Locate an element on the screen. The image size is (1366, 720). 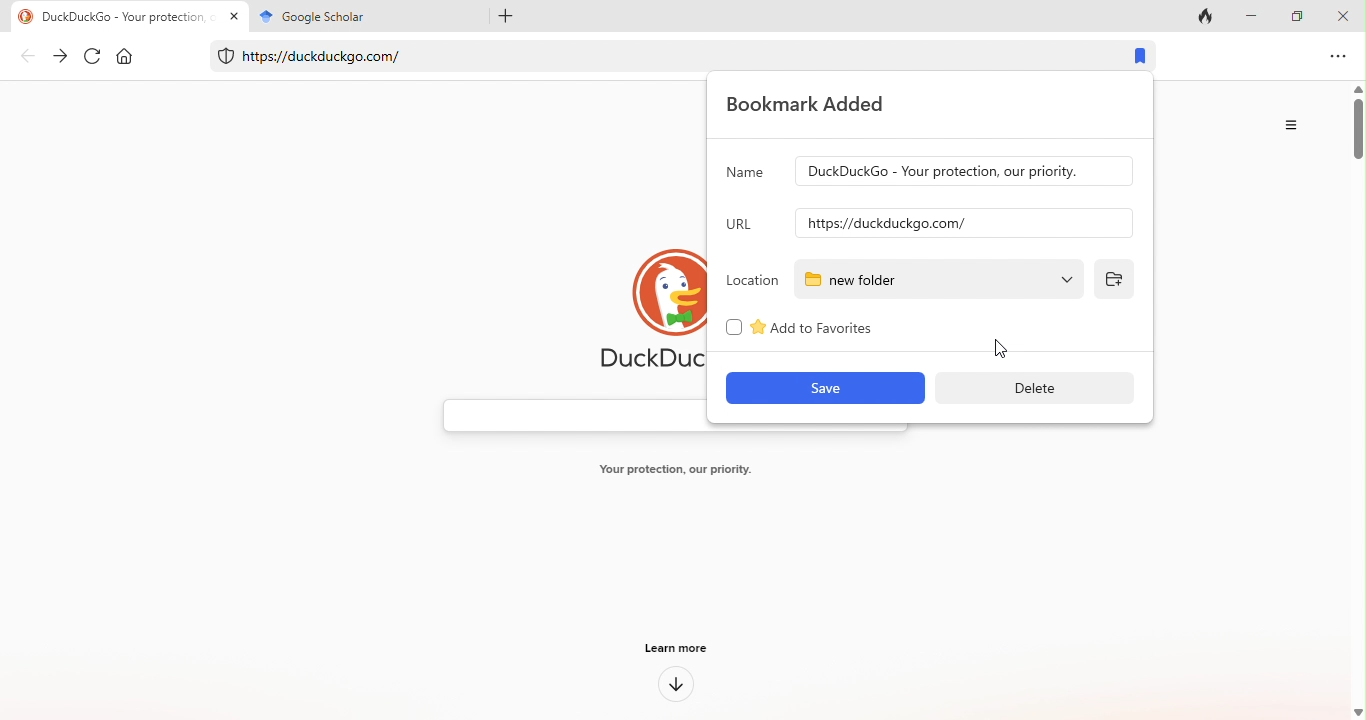
close is located at coordinates (1346, 15).